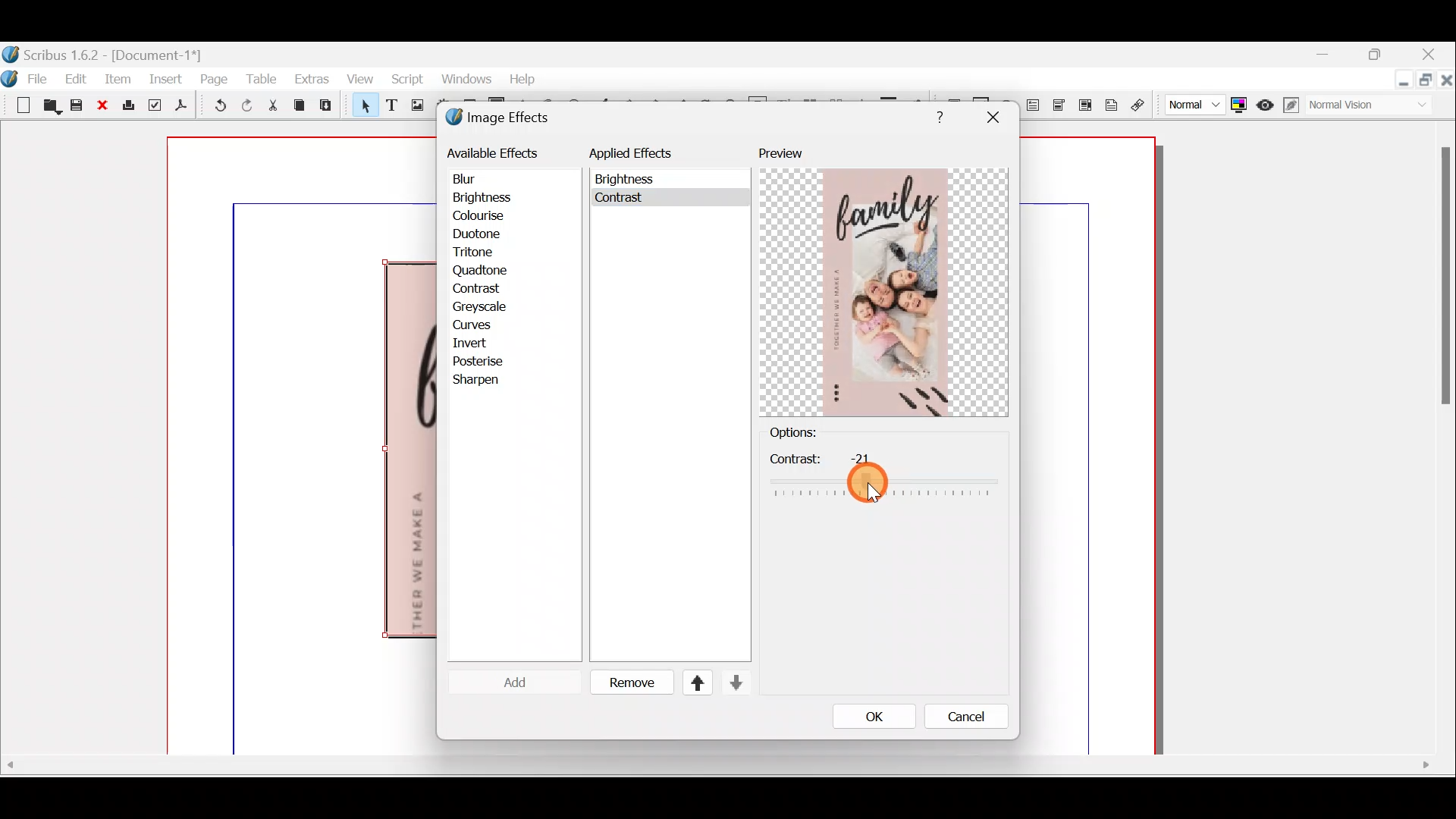  I want to click on Cancel, so click(956, 720).